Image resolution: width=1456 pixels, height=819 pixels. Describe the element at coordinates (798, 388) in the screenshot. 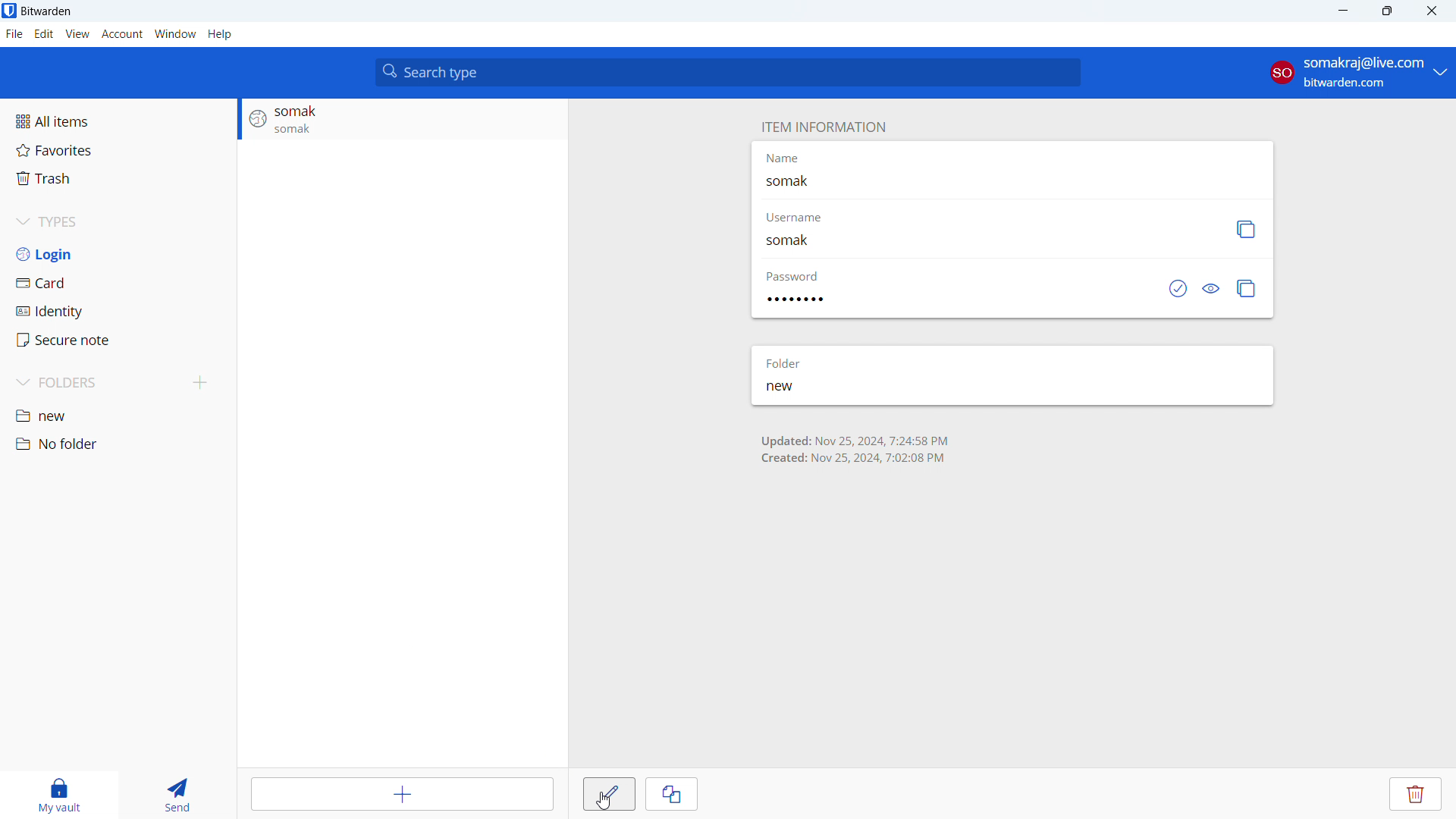

I see `new` at that location.